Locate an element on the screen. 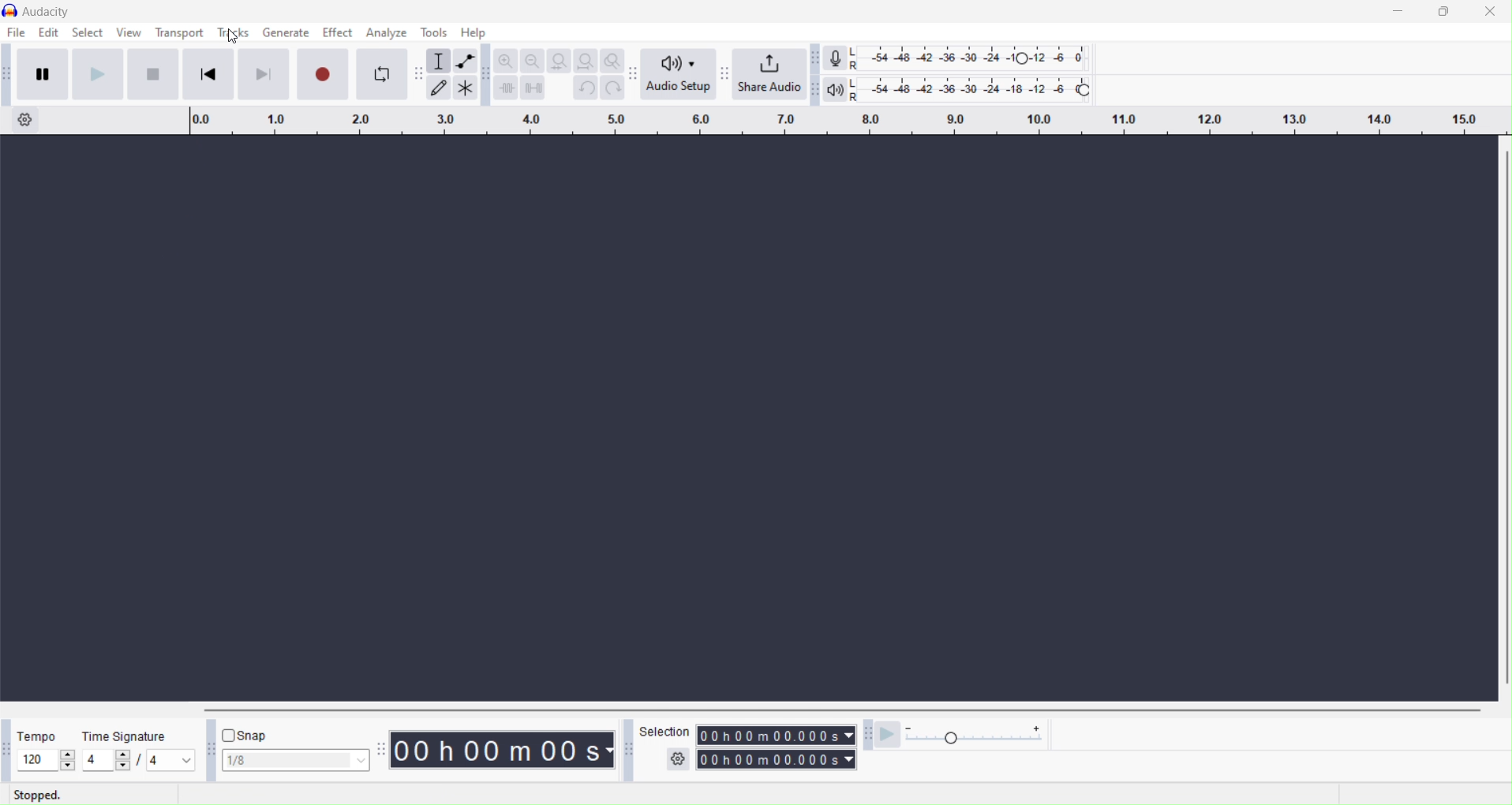  Skip to start is located at coordinates (208, 73).